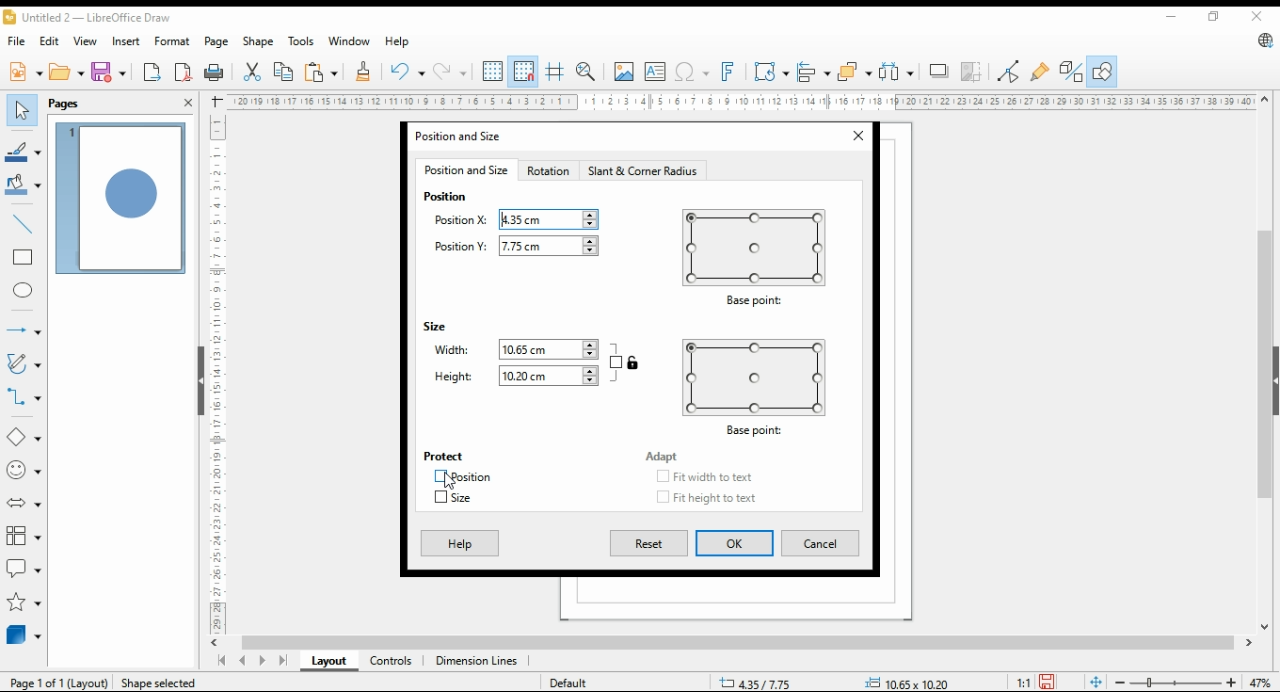  I want to click on export, so click(152, 72).